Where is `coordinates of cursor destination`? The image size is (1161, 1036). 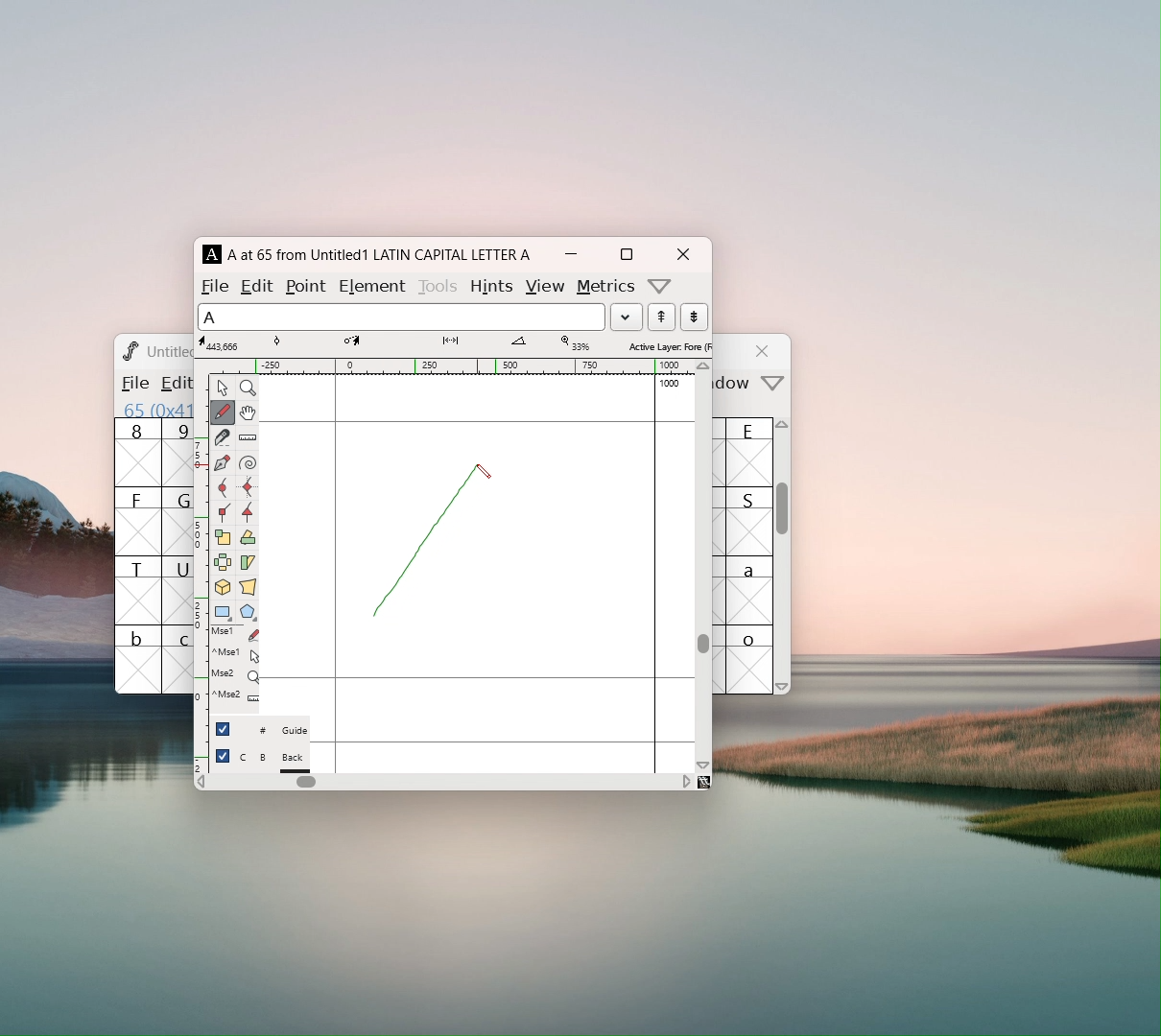 coordinates of cursor destination is located at coordinates (351, 343).